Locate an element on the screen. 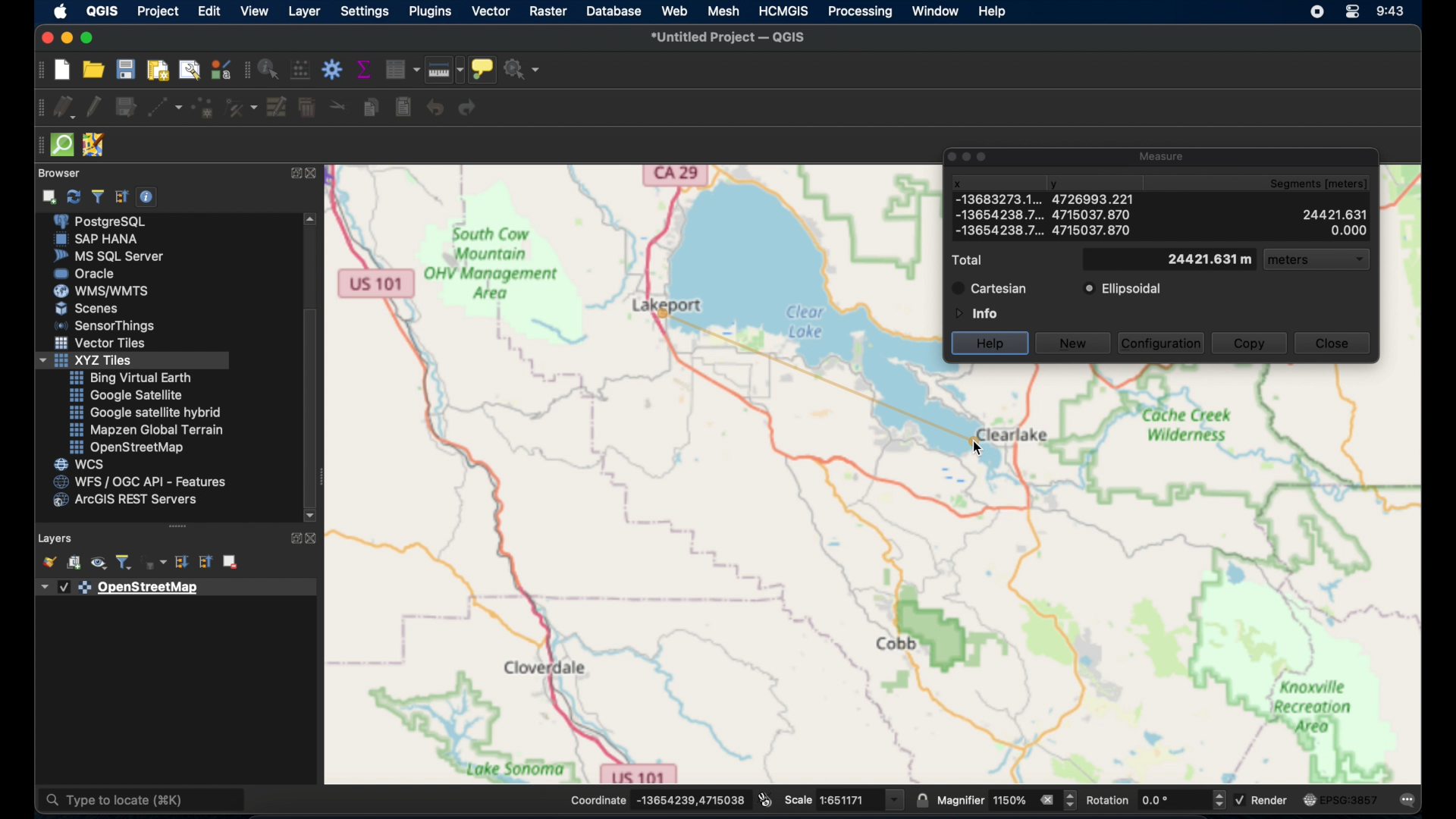  drag handle is located at coordinates (178, 526).